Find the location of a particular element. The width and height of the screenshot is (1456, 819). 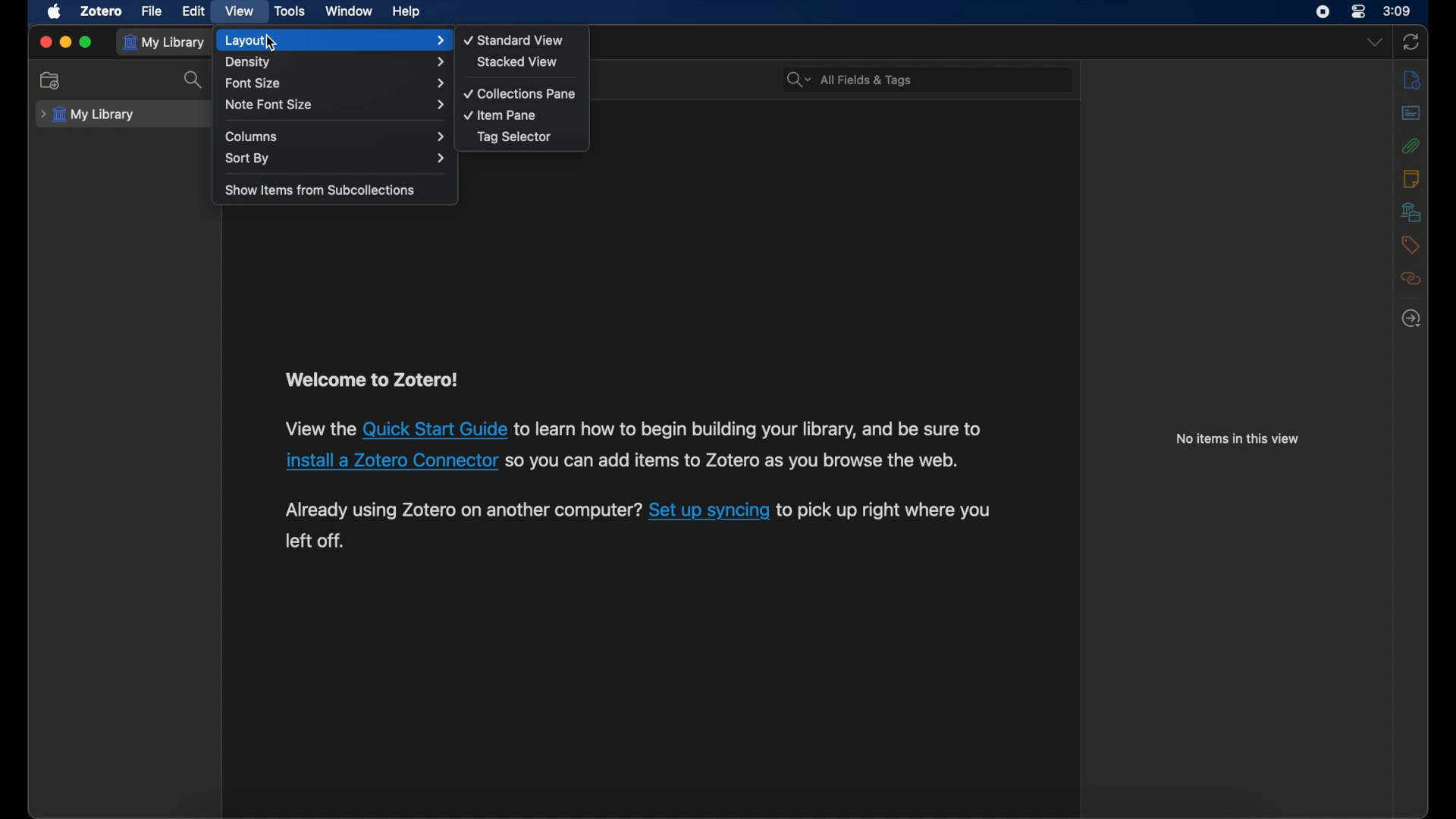

notes is located at coordinates (1411, 178).